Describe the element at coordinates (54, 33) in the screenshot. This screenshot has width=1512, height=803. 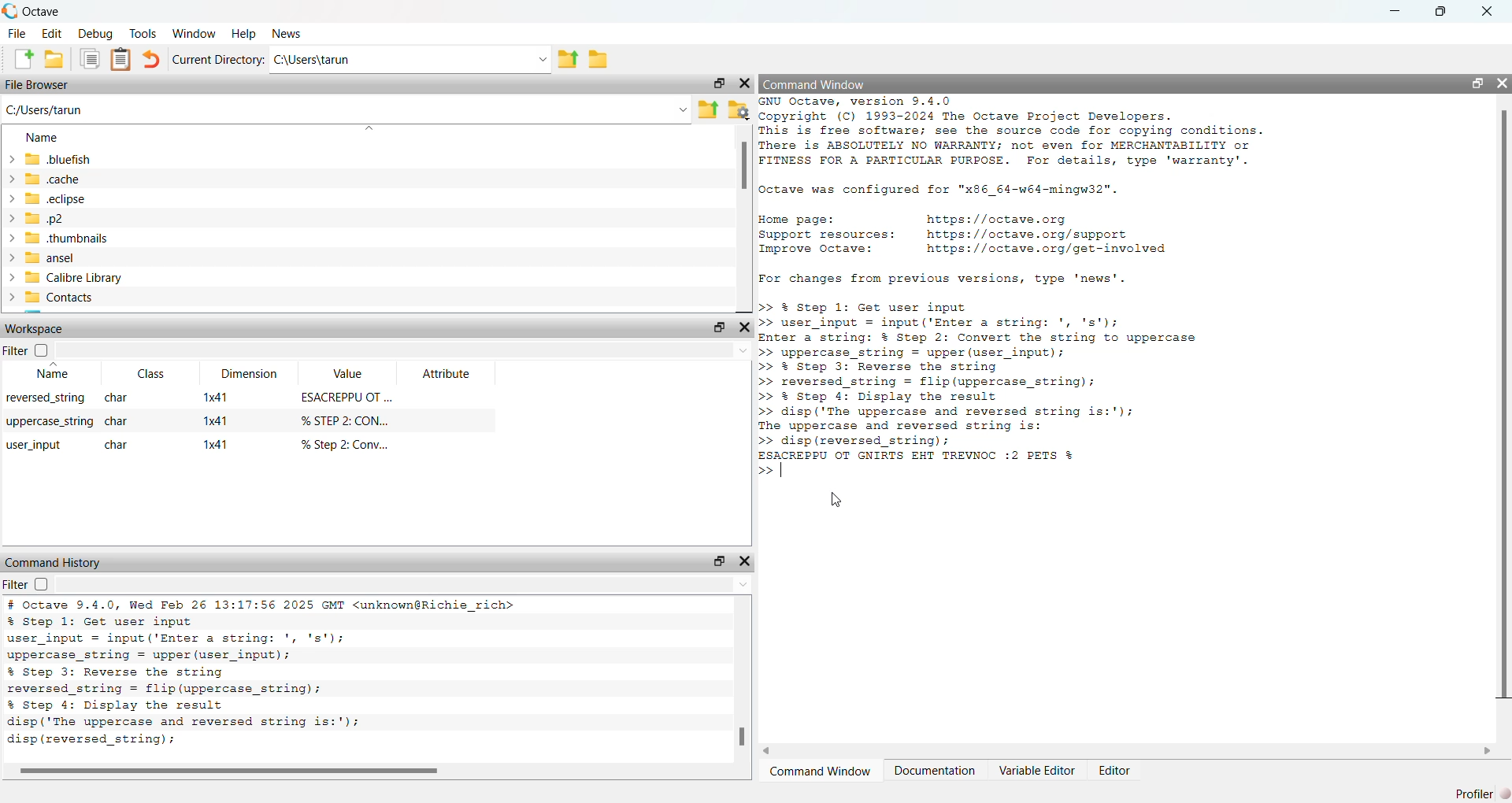
I see `edit` at that location.